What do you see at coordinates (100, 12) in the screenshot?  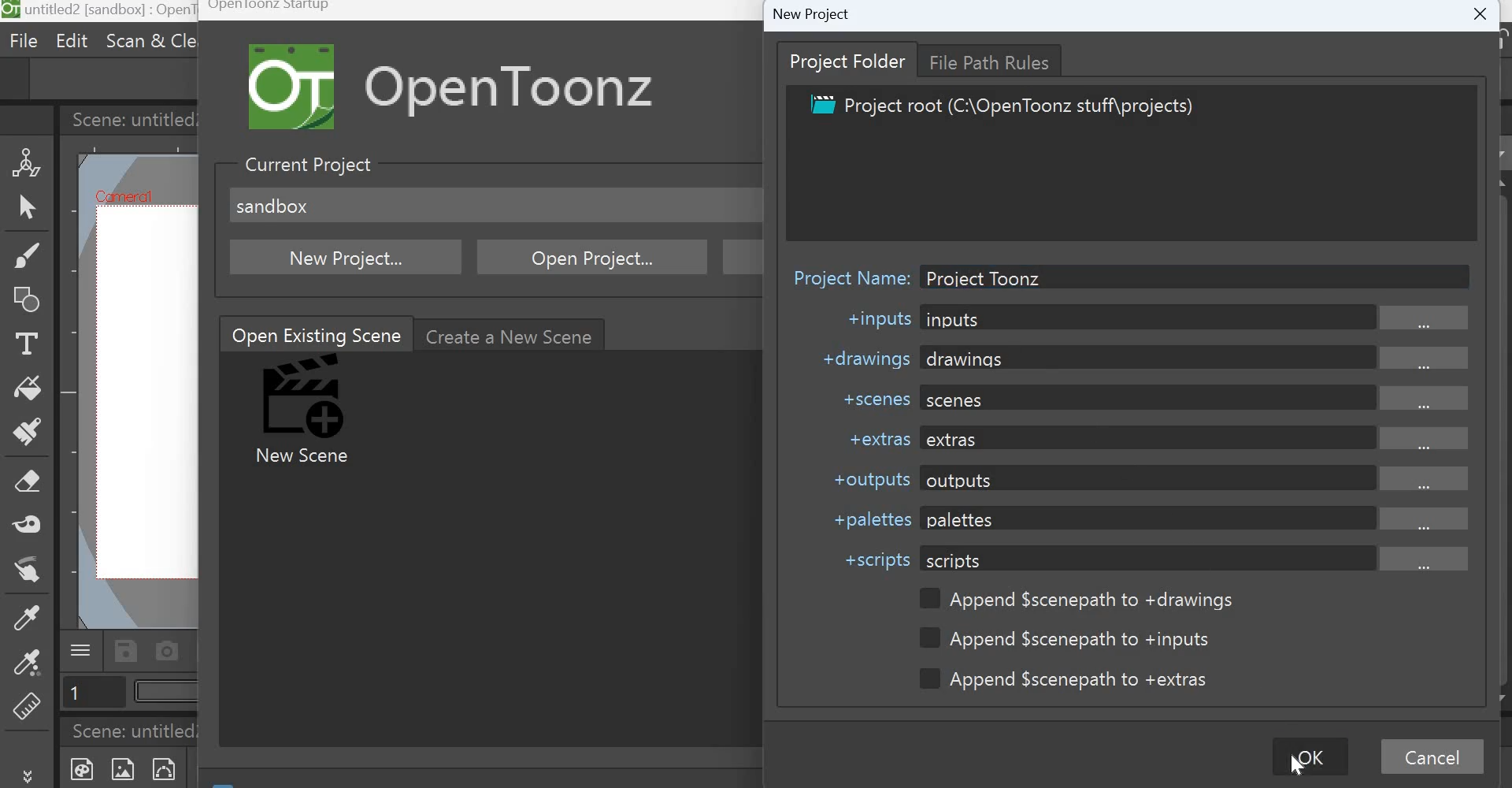 I see `untitled 2[sandbox] : OpenToonz` at bounding box center [100, 12].